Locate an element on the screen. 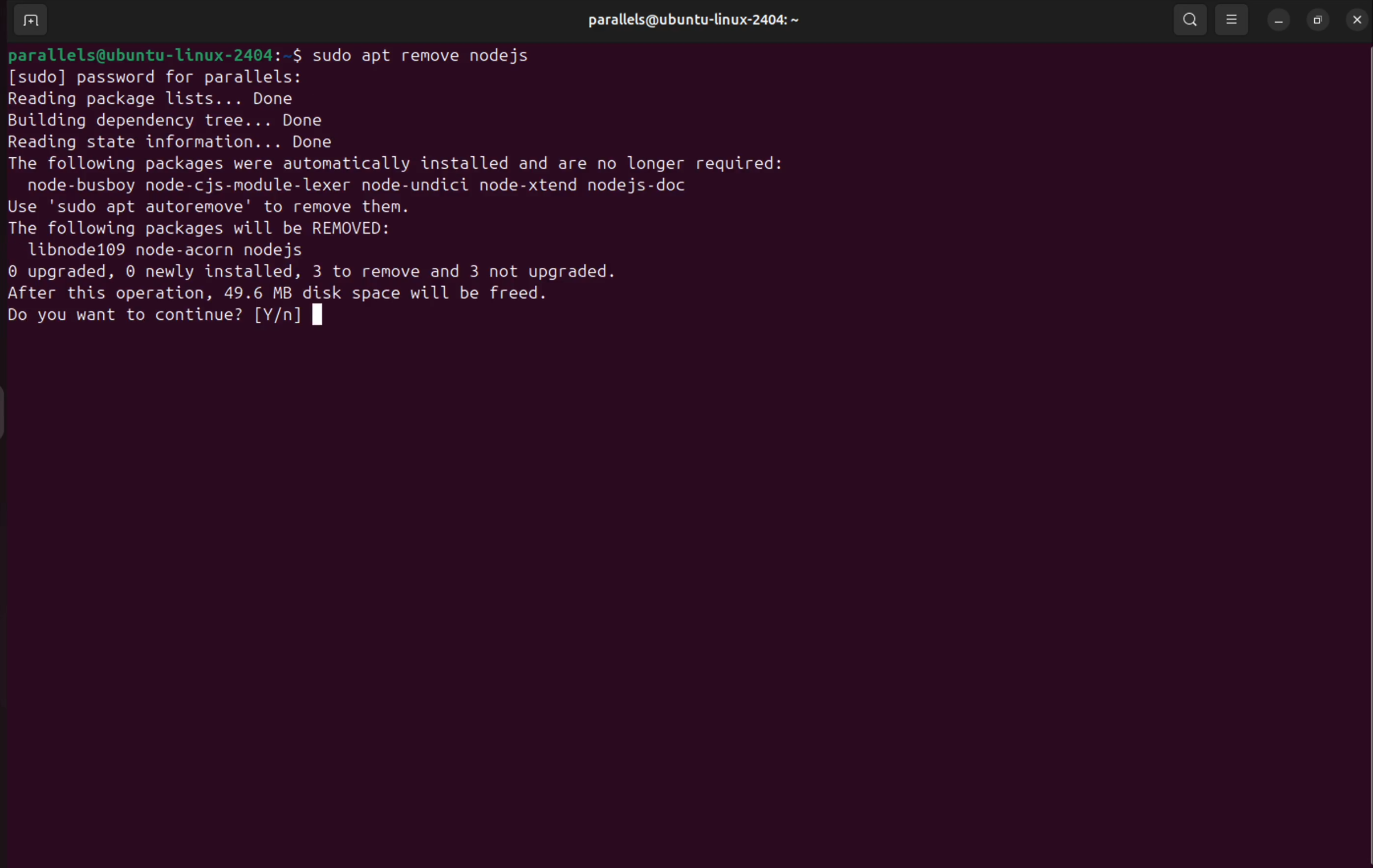  parallels@ubuntu-linux-2404: $ is located at coordinates (153, 54).